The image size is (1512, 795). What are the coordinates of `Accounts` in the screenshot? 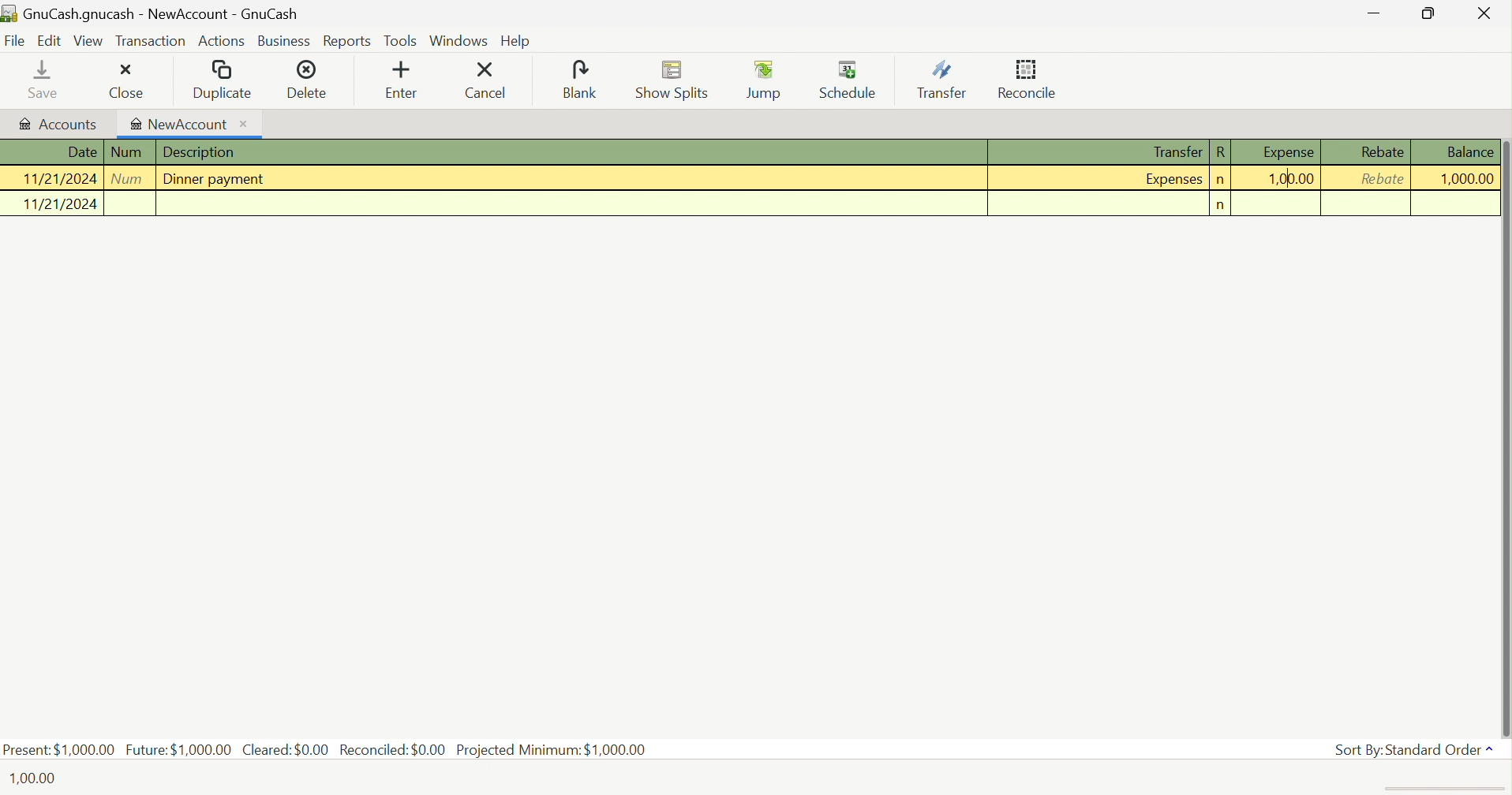 It's located at (58, 122).